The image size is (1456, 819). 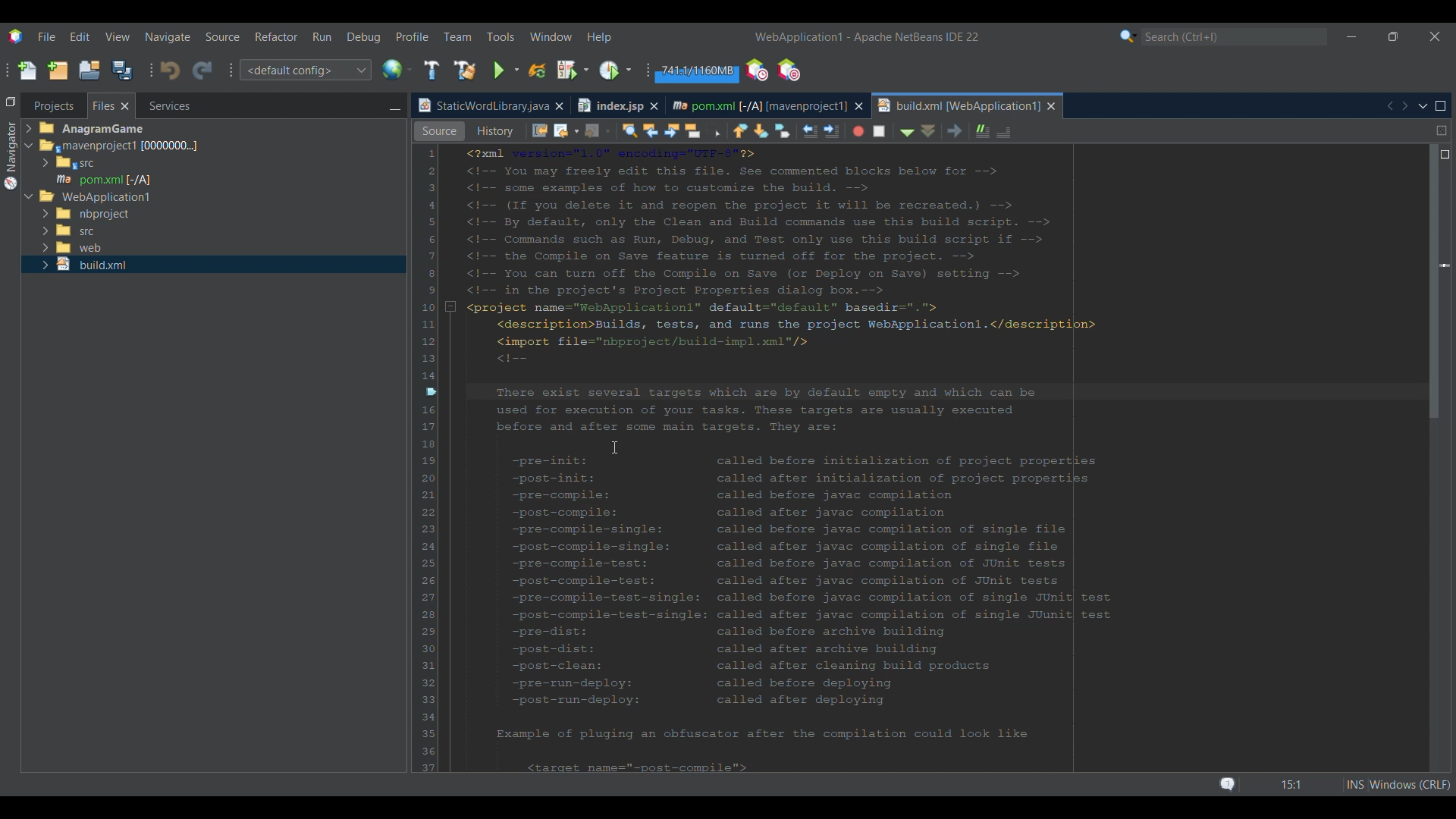 What do you see at coordinates (431, 70) in the screenshot?
I see `Build main project` at bounding box center [431, 70].